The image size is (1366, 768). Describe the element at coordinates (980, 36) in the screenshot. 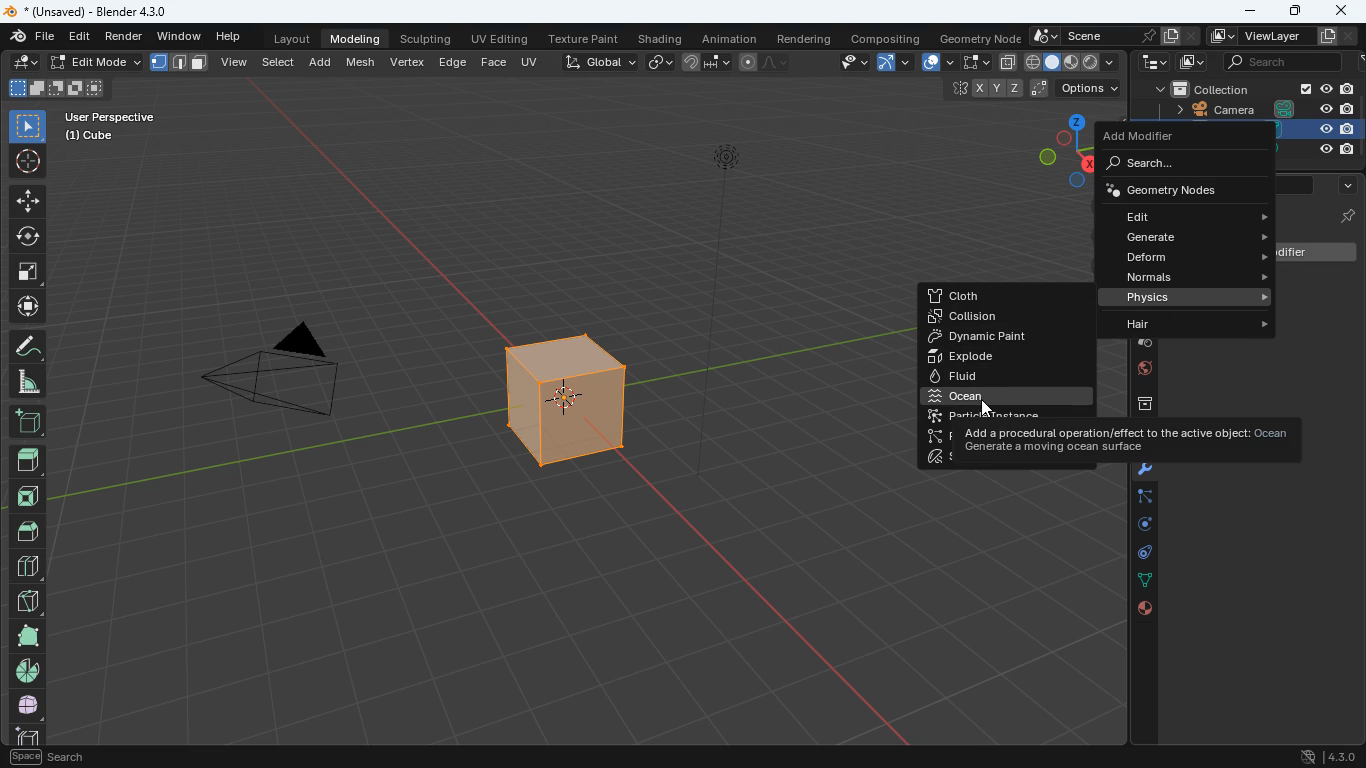

I see `geometry node` at that location.